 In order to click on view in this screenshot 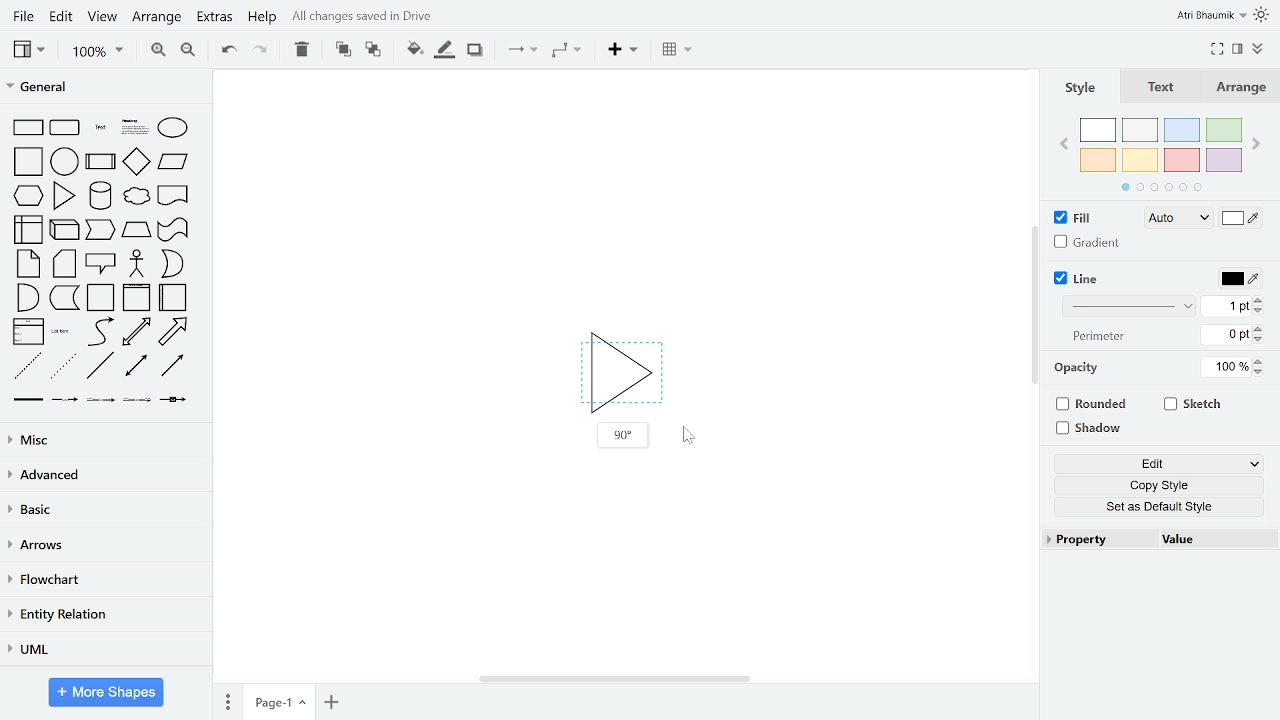, I will do `click(104, 17)`.